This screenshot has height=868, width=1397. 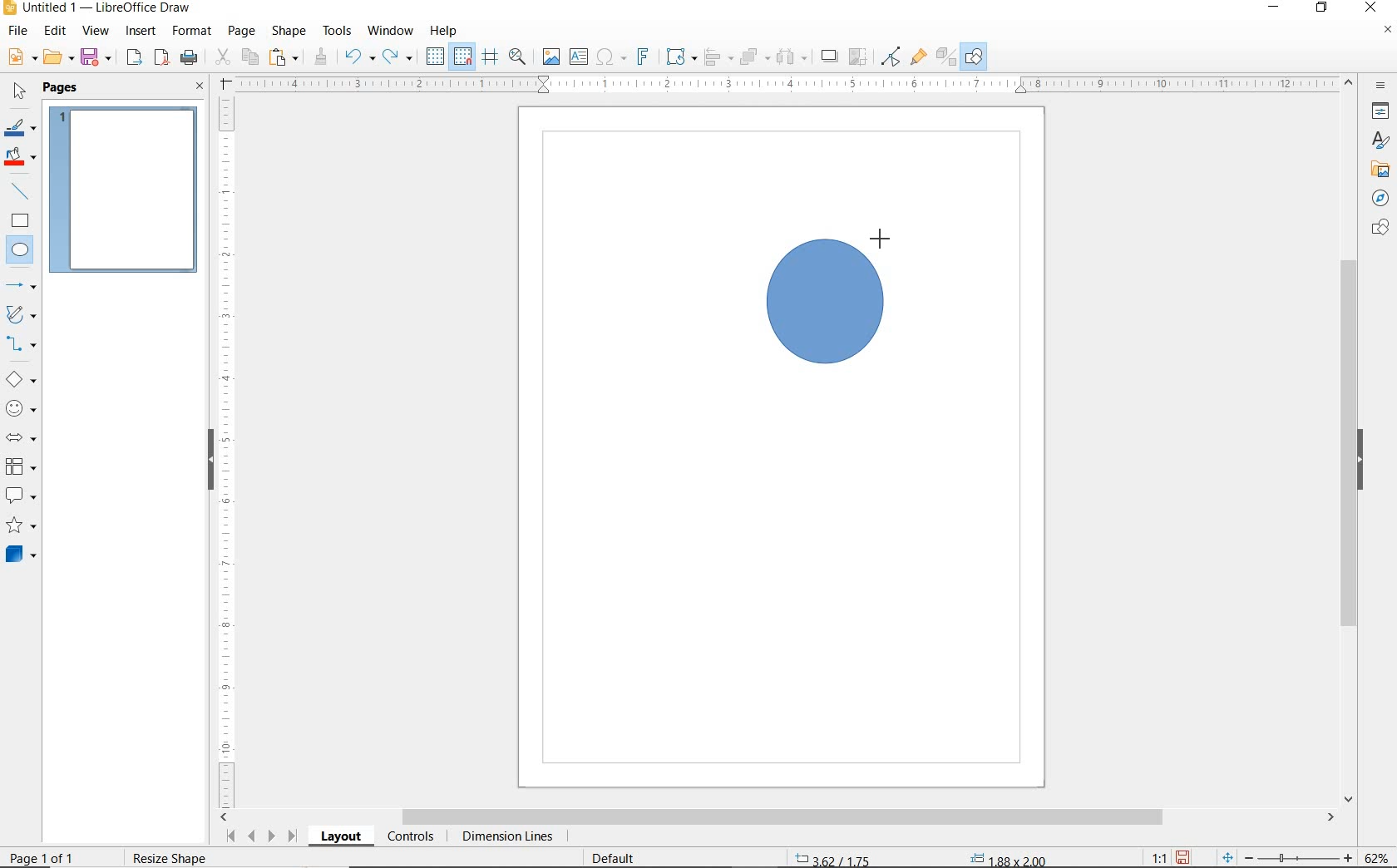 I want to click on SYMBOL SHAPES, so click(x=22, y=408).